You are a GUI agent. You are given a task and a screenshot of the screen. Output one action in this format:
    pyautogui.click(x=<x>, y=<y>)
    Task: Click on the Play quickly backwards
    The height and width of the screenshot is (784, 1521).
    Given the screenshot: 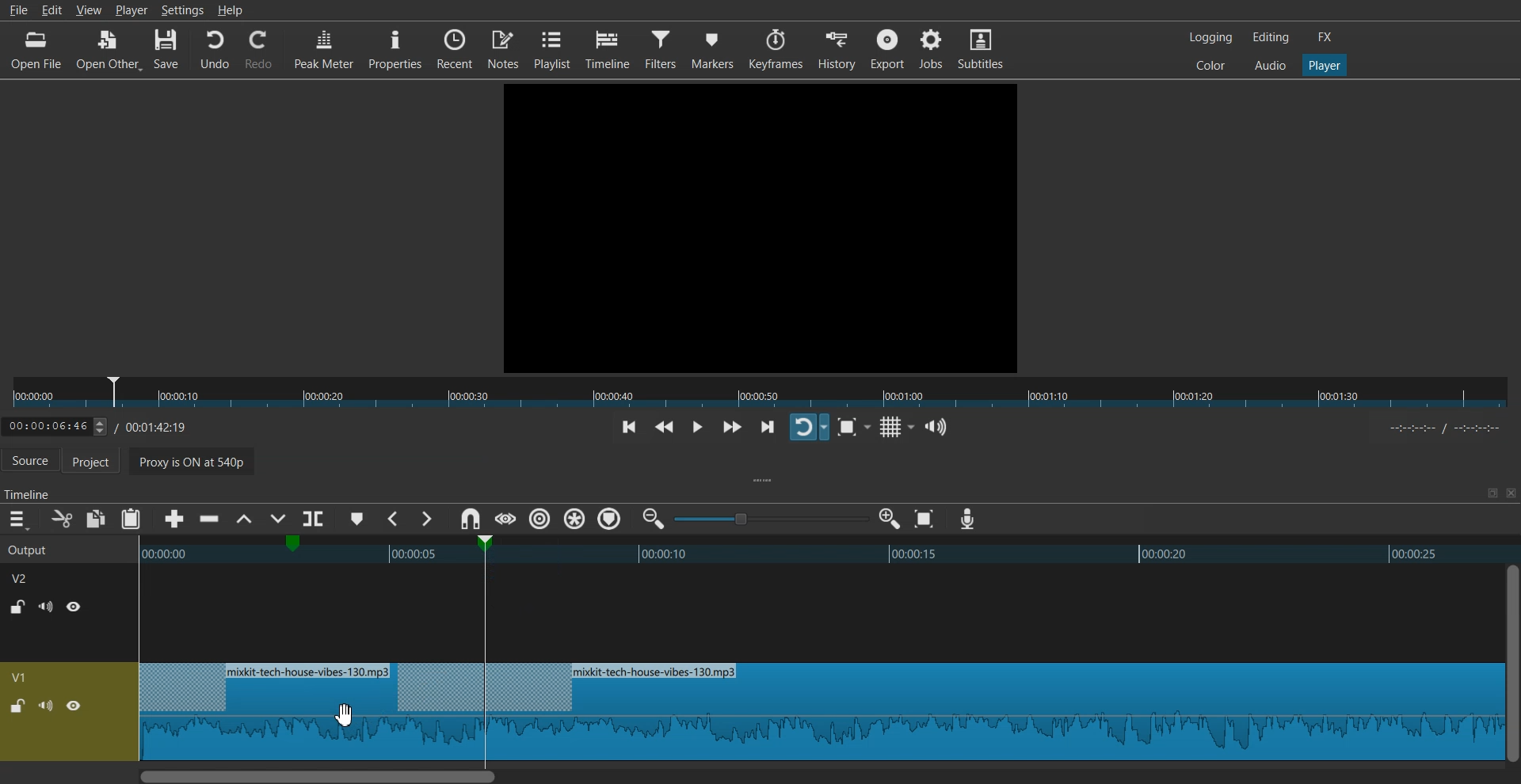 What is the action you would take?
    pyautogui.click(x=665, y=428)
    